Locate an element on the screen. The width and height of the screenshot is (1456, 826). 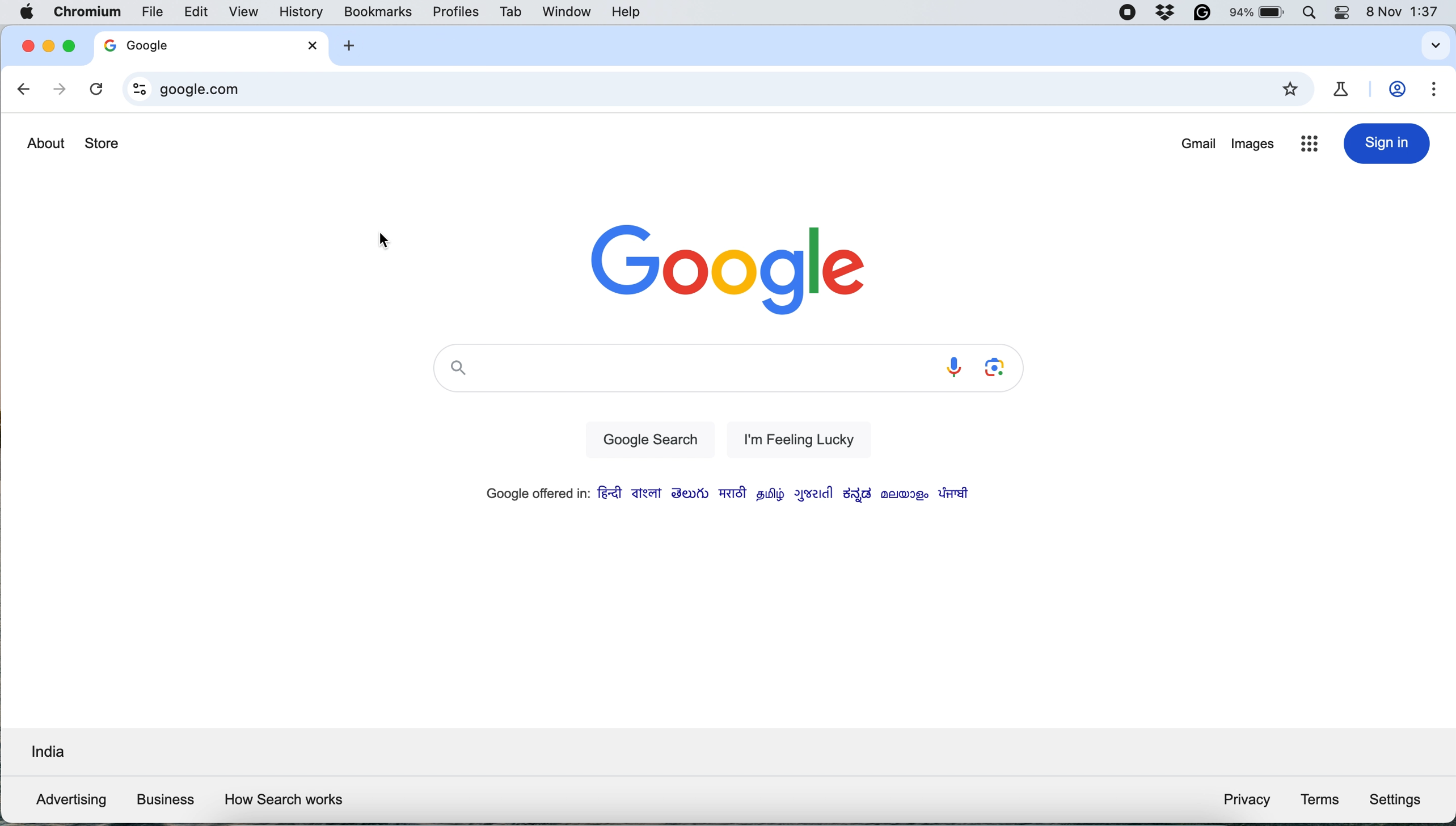
maximise is located at coordinates (66, 46).